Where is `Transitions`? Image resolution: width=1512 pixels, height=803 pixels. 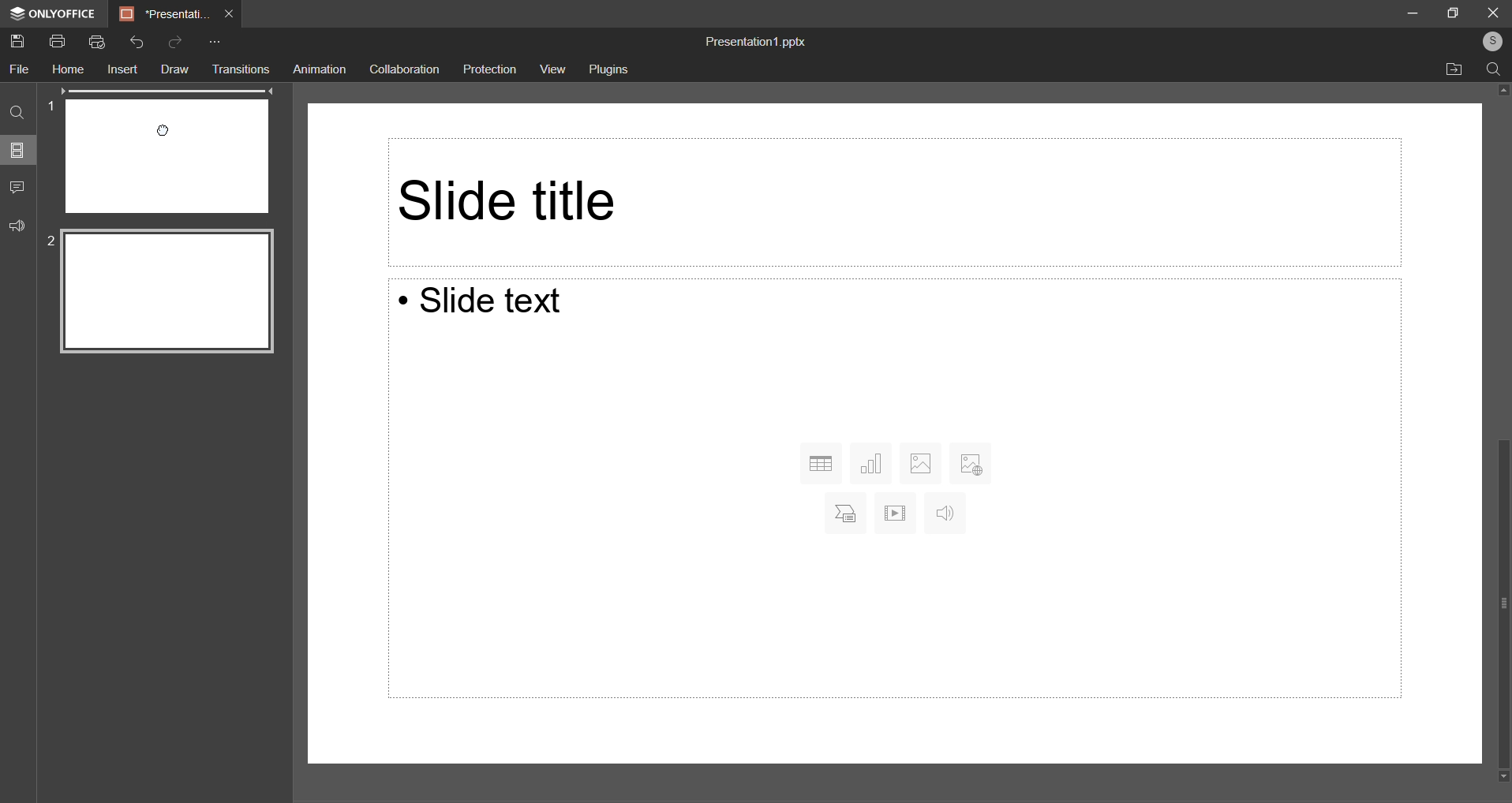
Transitions is located at coordinates (240, 69).